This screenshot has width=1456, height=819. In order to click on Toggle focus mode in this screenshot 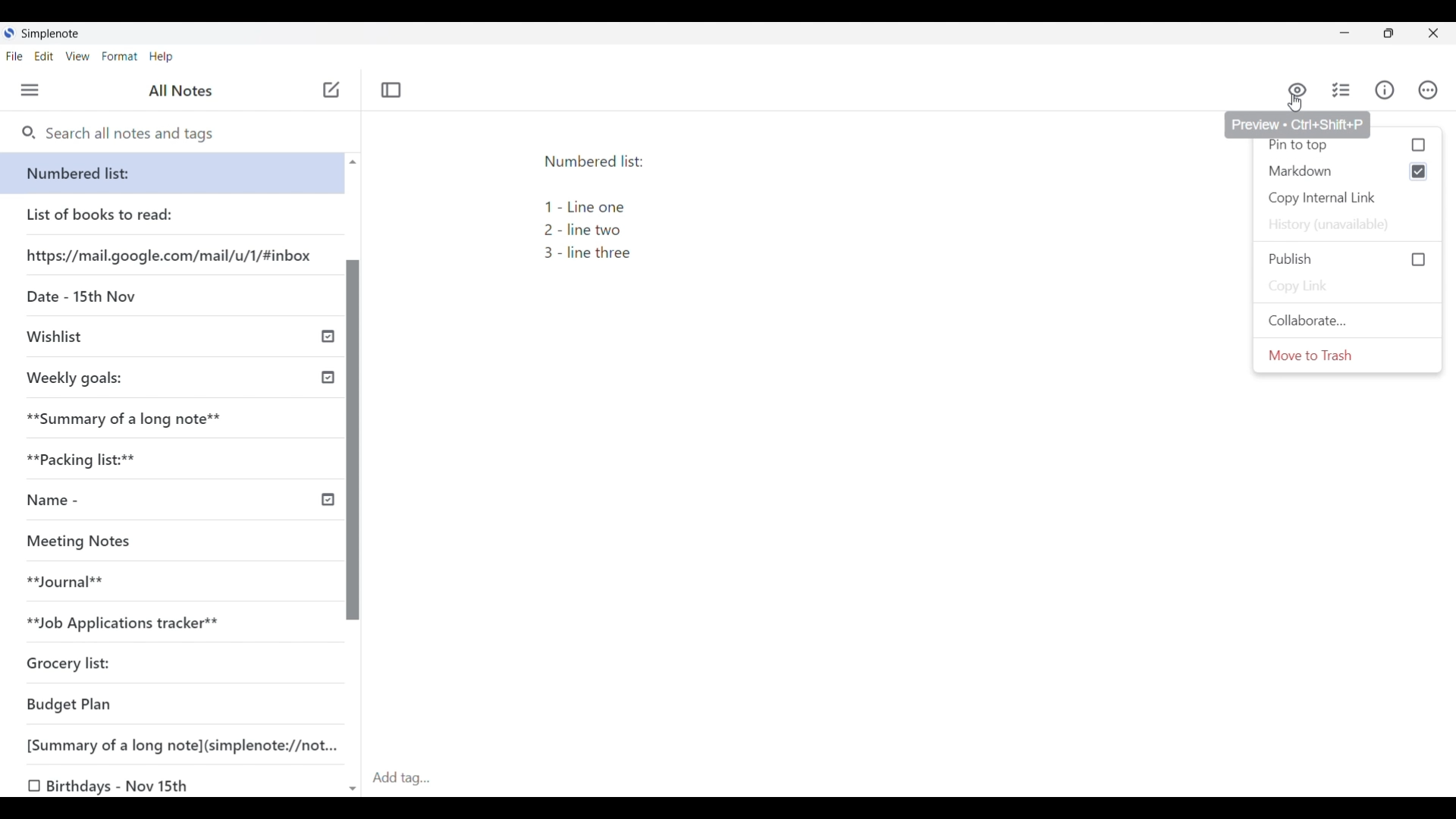, I will do `click(392, 89)`.